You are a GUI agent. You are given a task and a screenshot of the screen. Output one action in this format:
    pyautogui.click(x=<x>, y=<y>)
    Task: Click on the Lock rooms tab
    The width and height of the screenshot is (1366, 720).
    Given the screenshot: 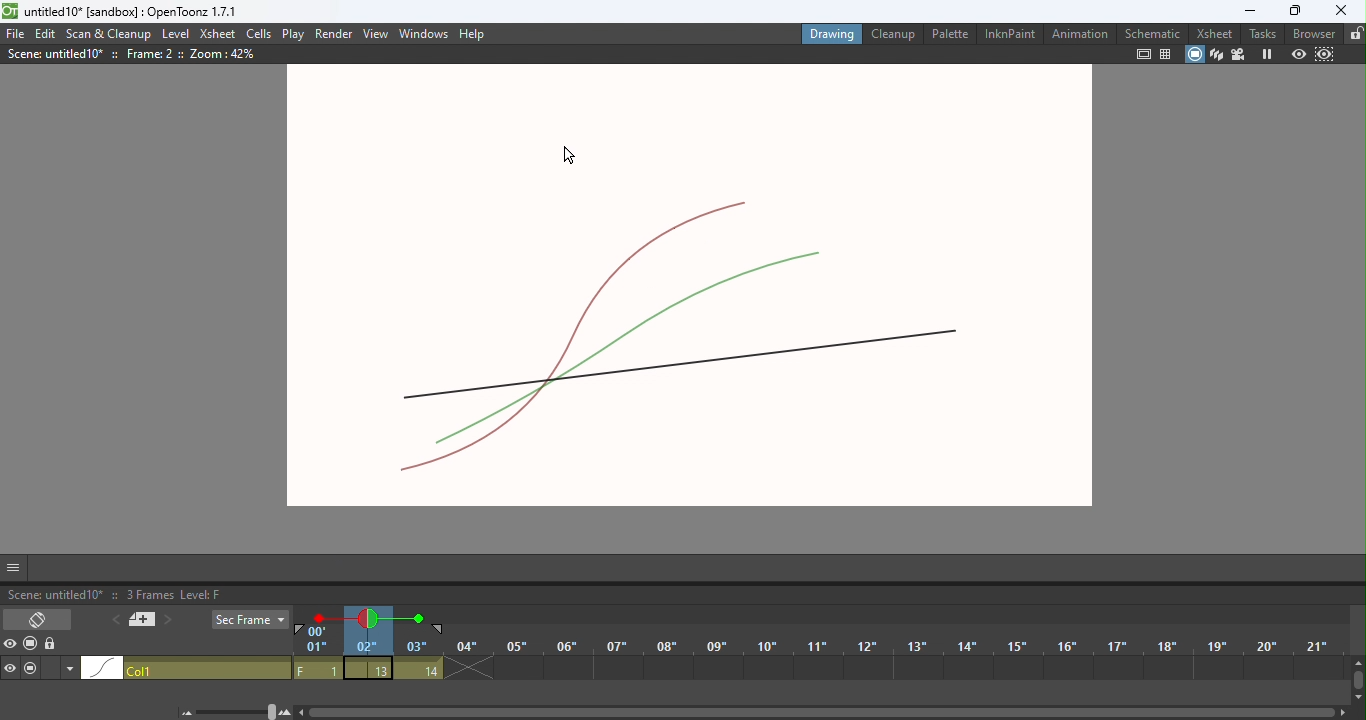 What is the action you would take?
    pyautogui.click(x=1353, y=34)
    